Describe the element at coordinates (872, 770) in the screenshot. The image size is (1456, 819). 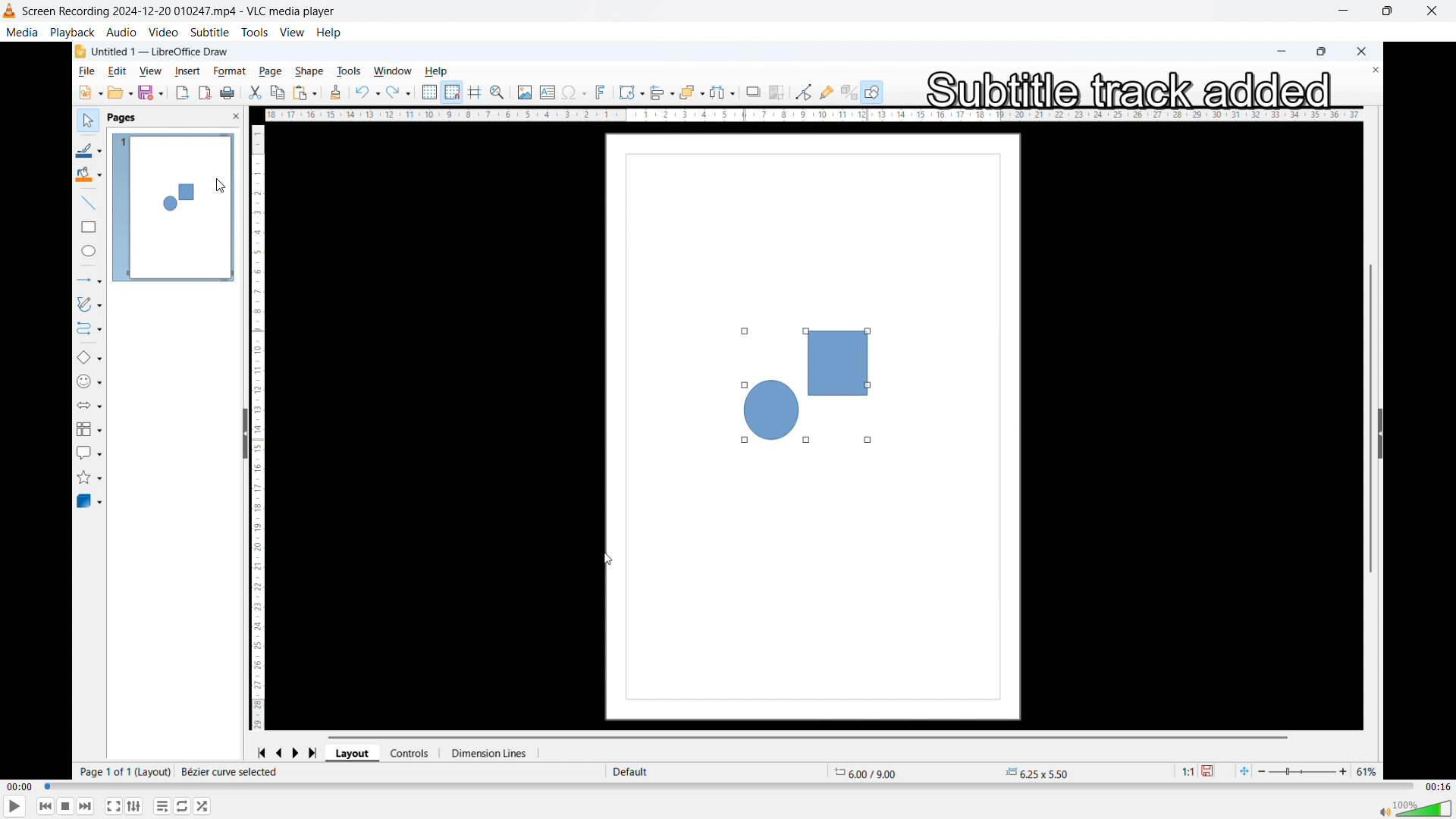
I see `cursor position-6.00/9.00` at that location.